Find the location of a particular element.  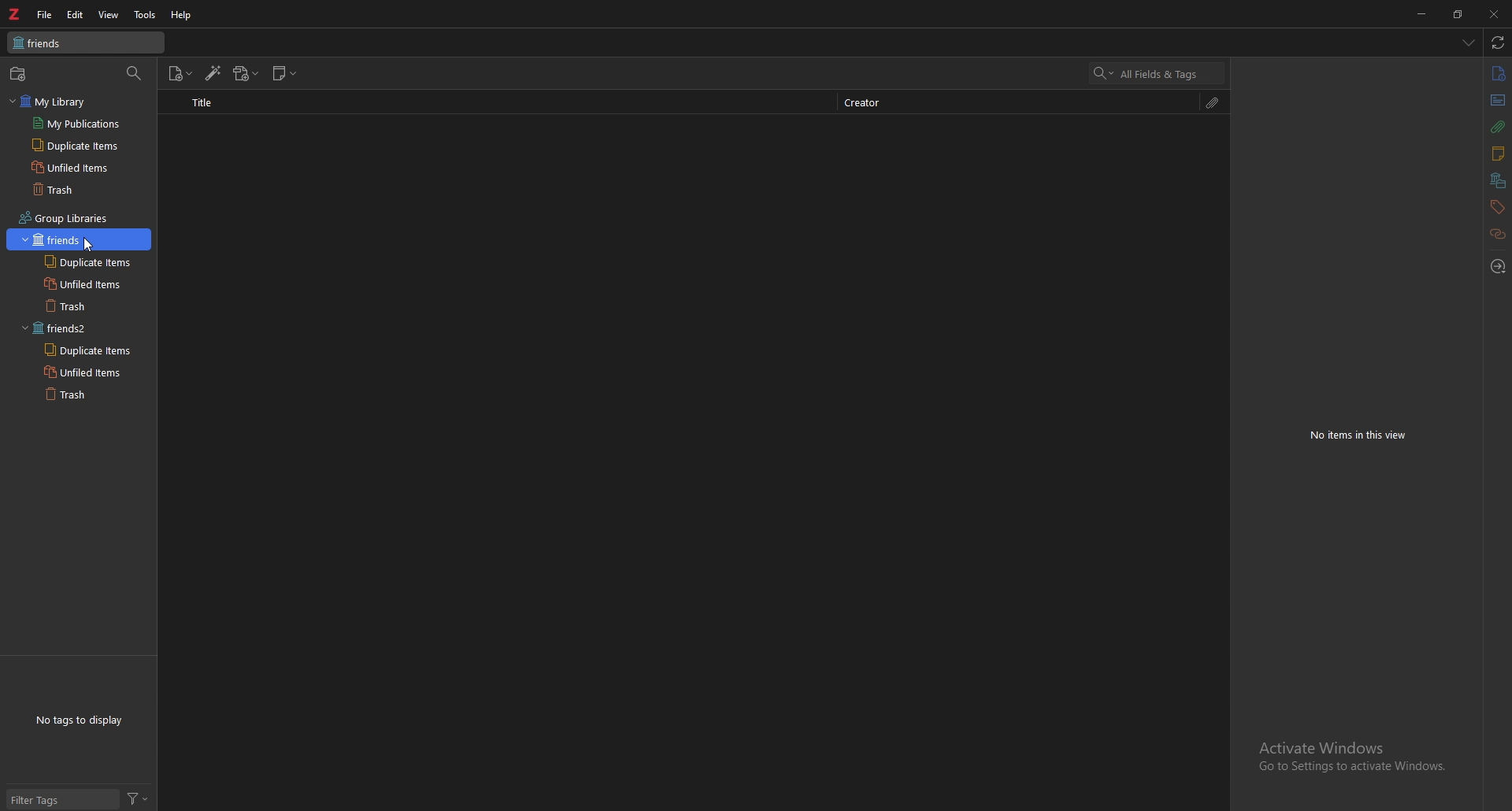

abstract is located at coordinates (1497, 101).